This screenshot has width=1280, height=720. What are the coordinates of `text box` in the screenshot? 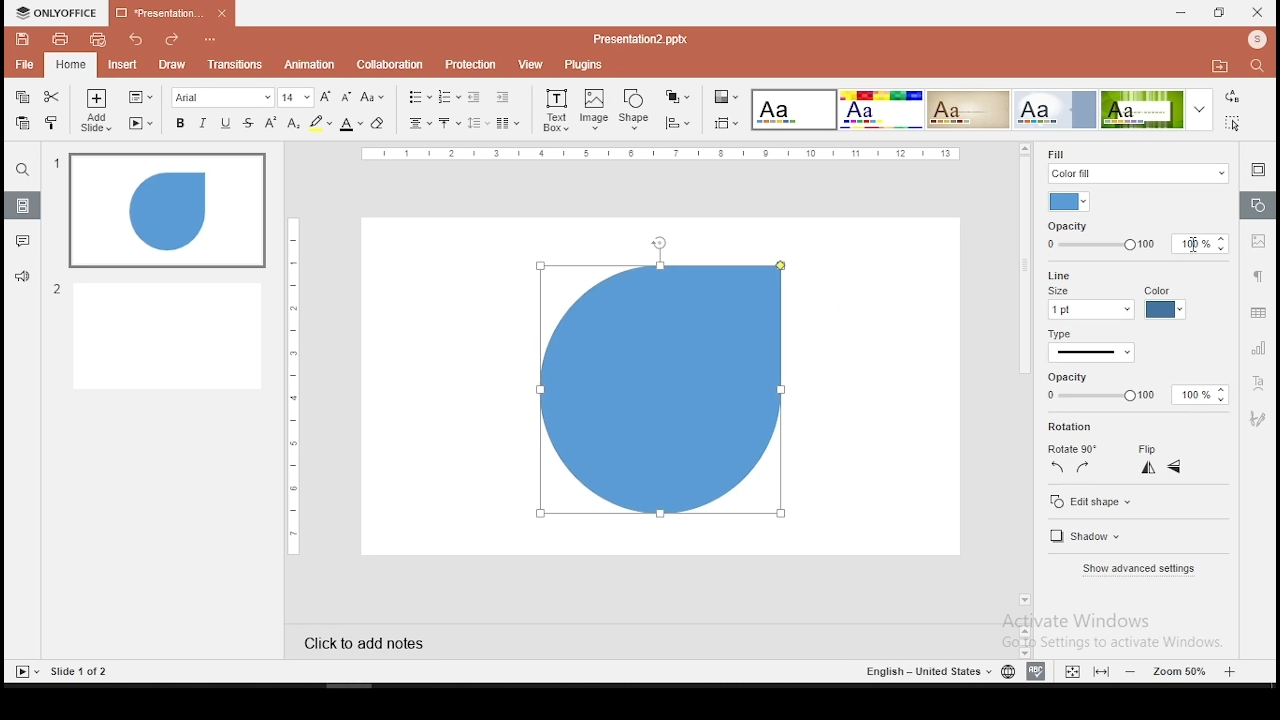 It's located at (556, 110).